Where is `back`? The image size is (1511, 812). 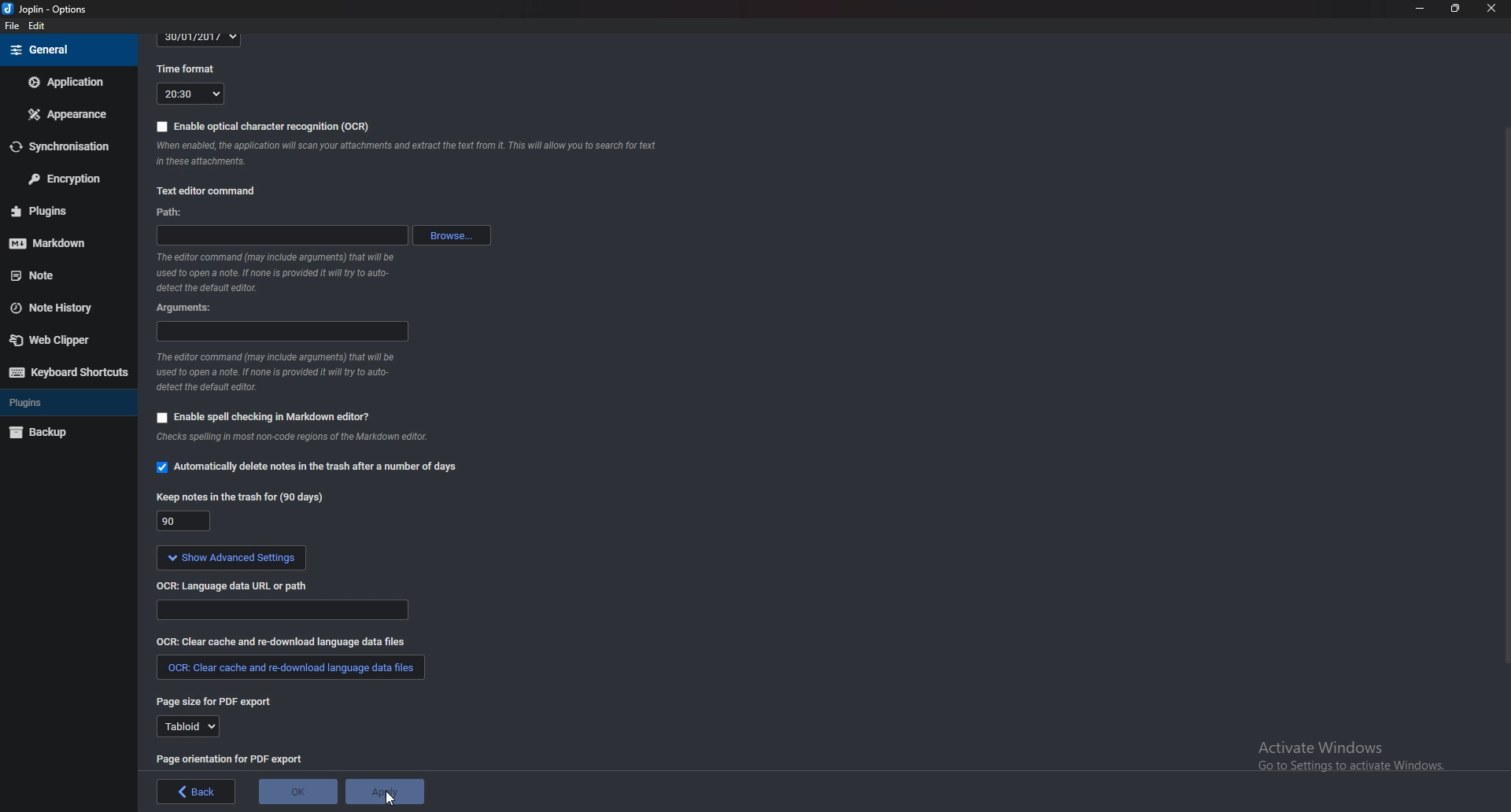 back is located at coordinates (196, 792).